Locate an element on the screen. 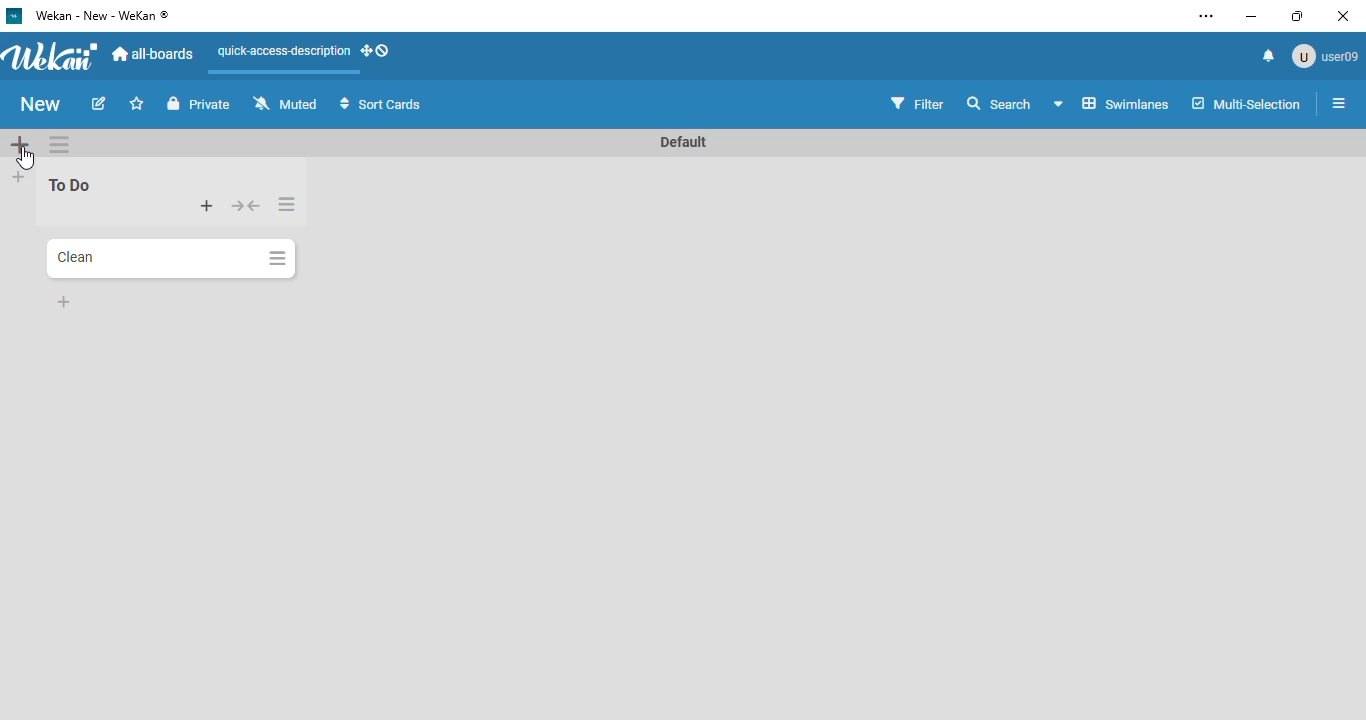 The width and height of the screenshot is (1366, 720). wekan - new - wekan is located at coordinates (102, 16).